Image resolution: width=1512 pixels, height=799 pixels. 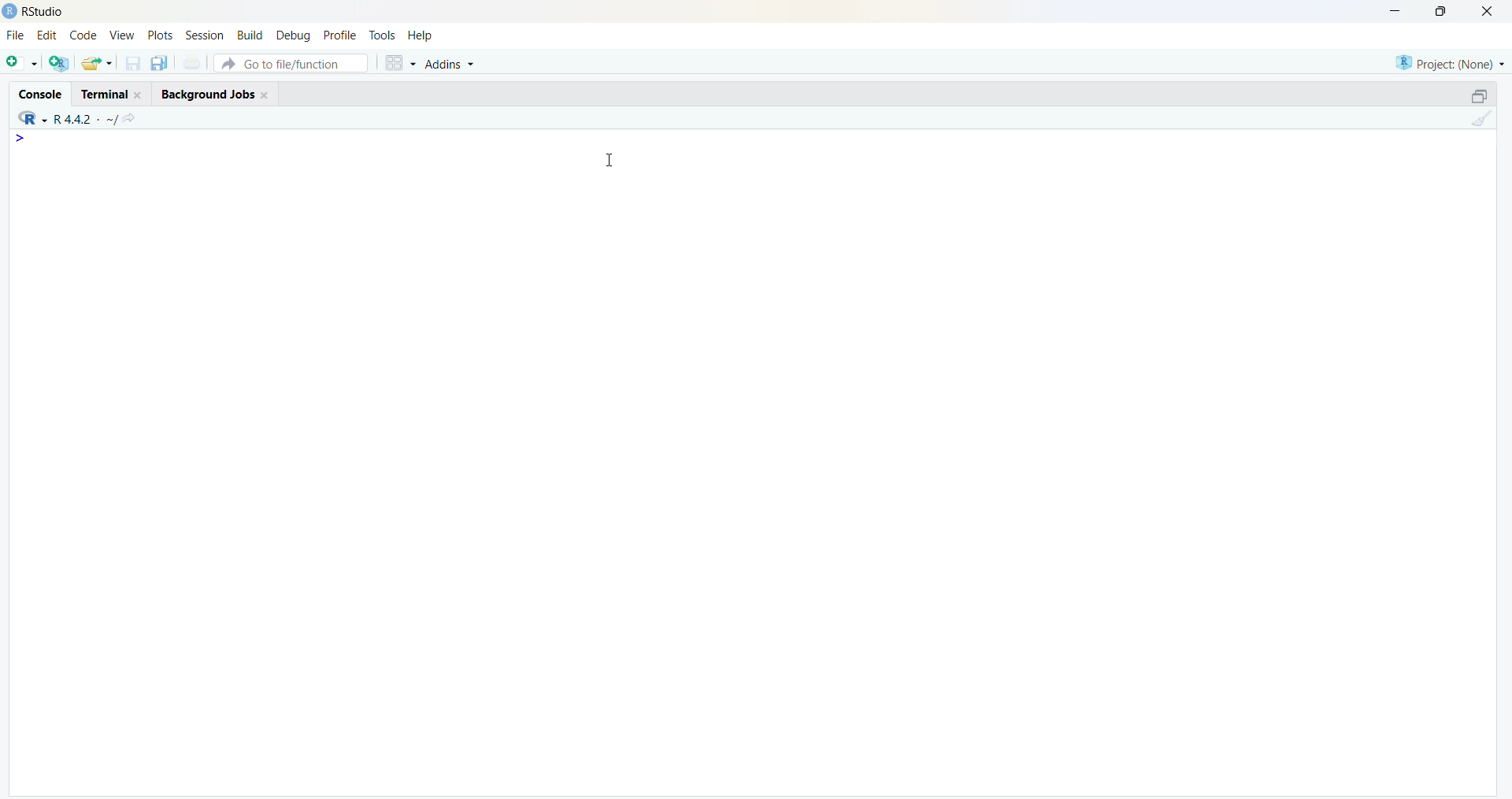 I want to click on clean, so click(x=1481, y=118).